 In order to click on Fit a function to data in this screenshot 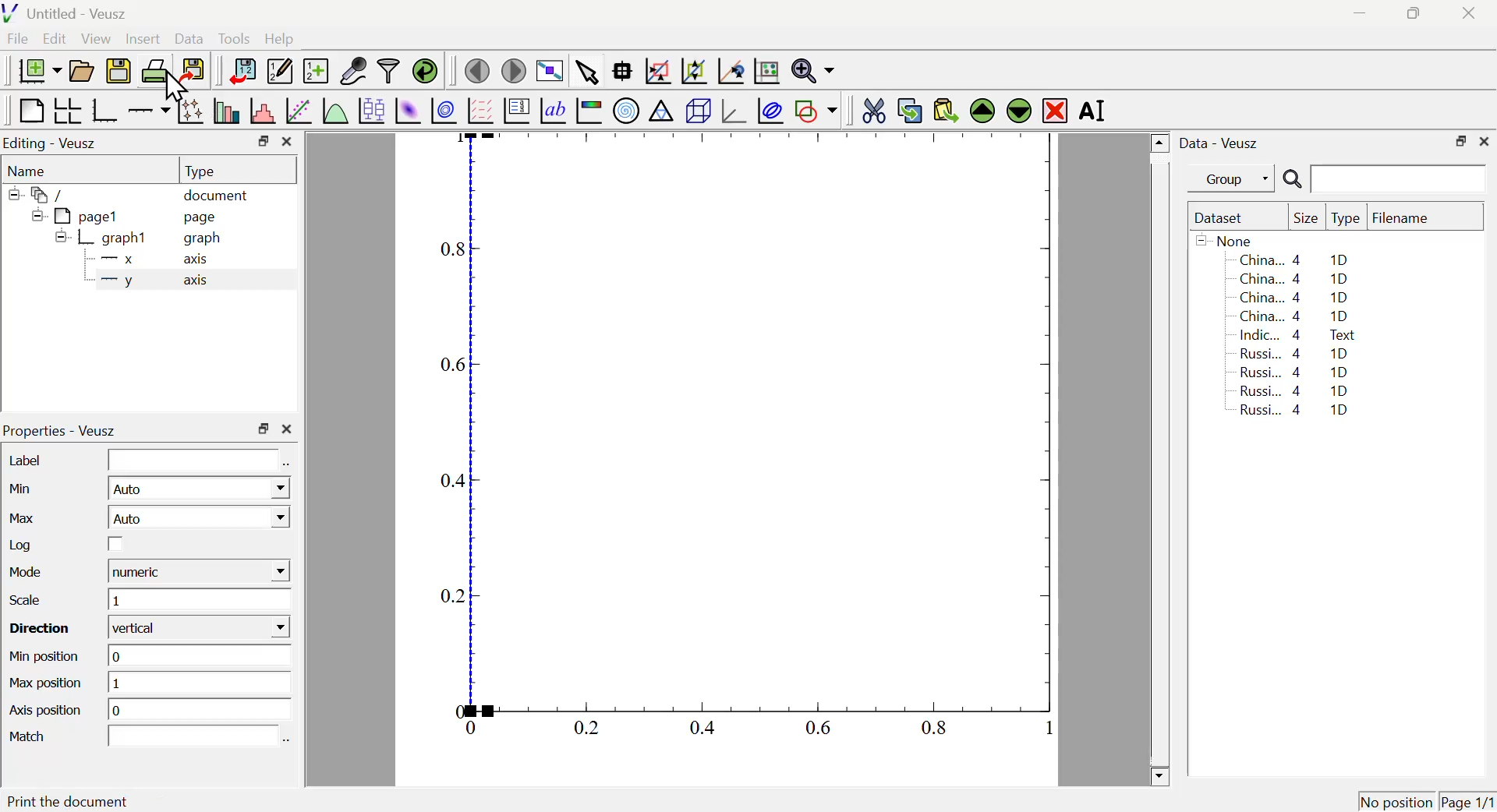, I will do `click(299, 112)`.